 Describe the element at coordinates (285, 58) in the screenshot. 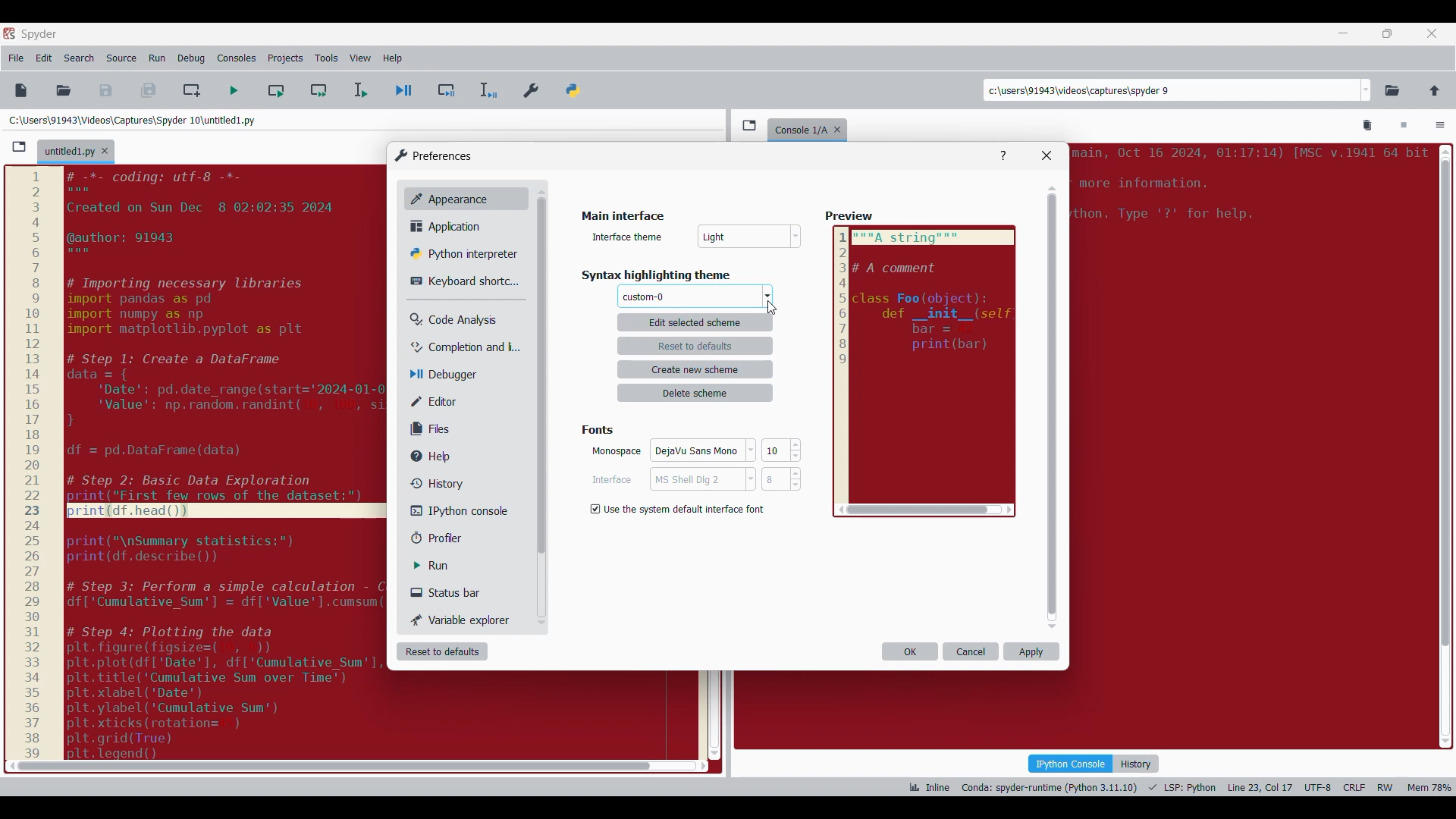

I see `Projects menu` at that location.